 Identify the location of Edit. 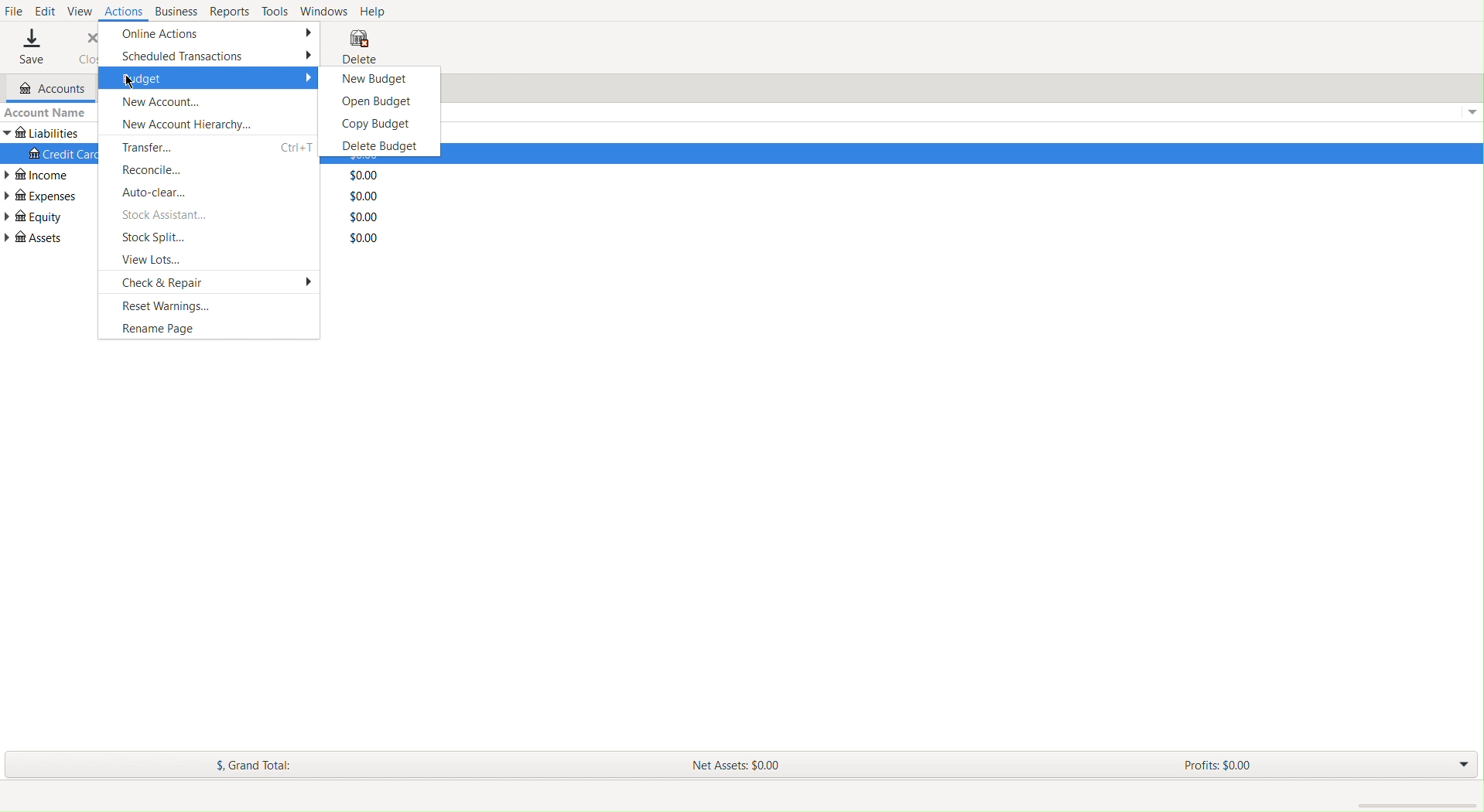
(46, 11).